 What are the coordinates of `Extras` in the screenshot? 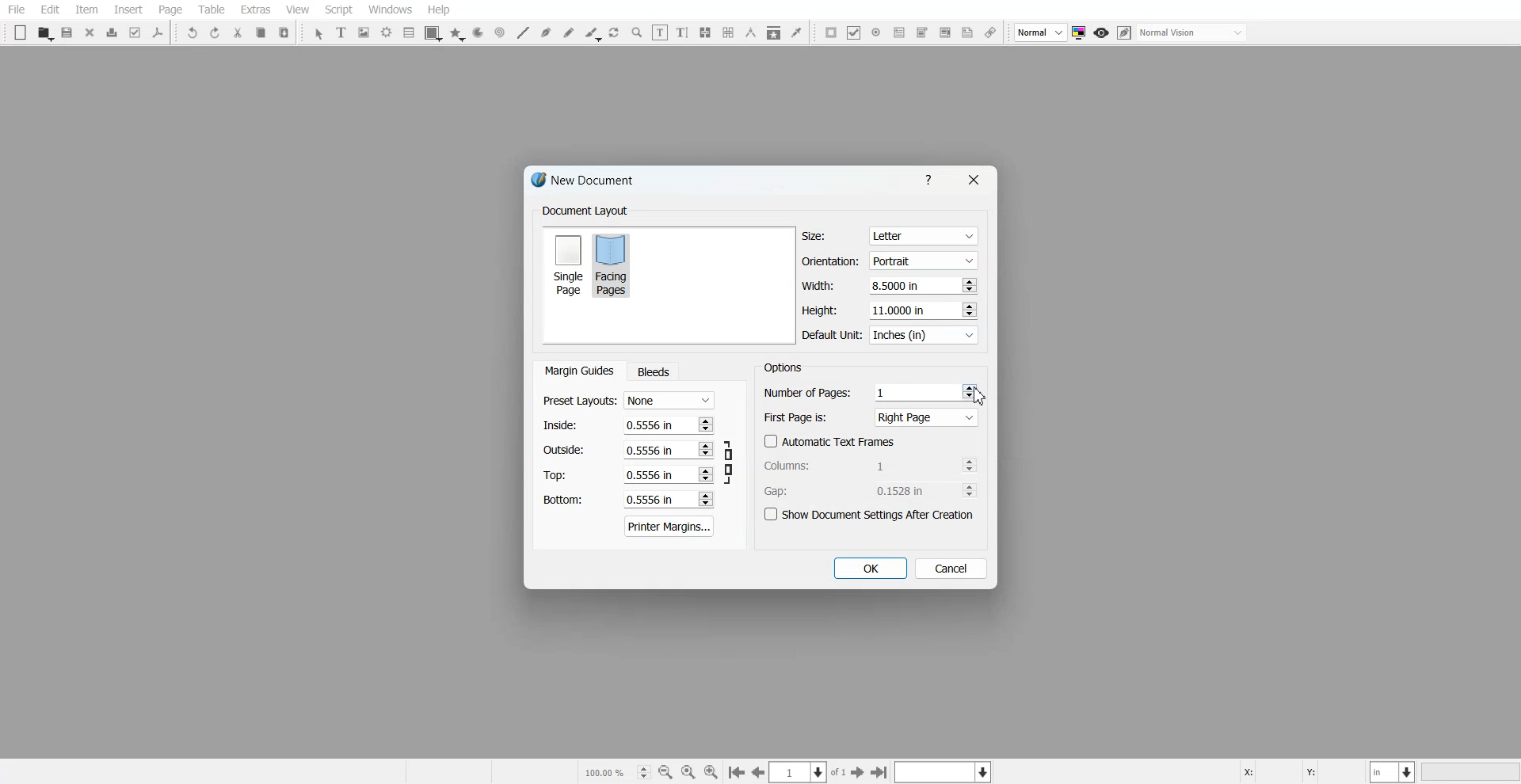 It's located at (255, 10).